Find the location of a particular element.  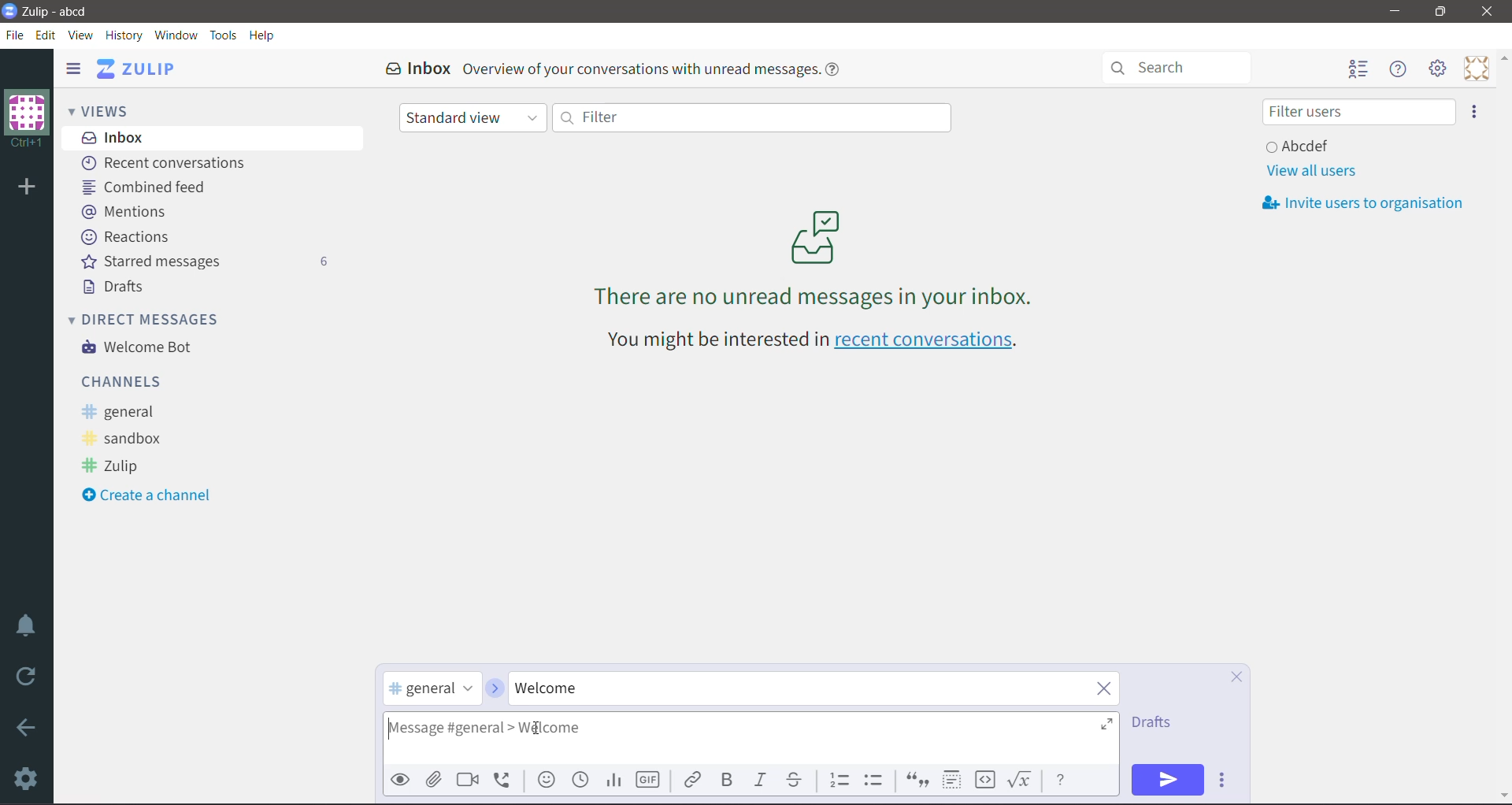

Application Logo is located at coordinates (9, 9).